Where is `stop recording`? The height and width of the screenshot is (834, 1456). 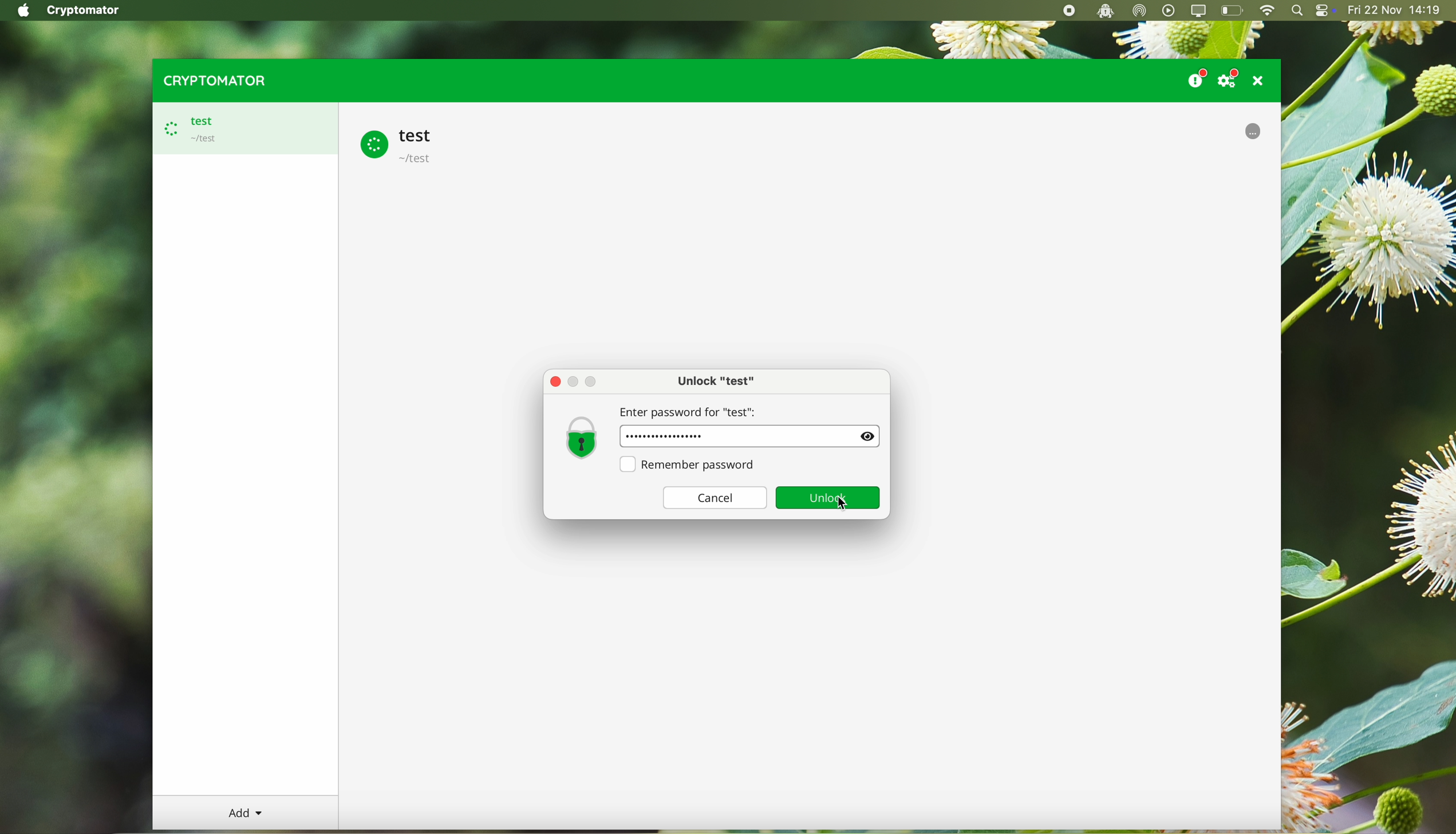
stop recording is located at coordinates (1067, 11).